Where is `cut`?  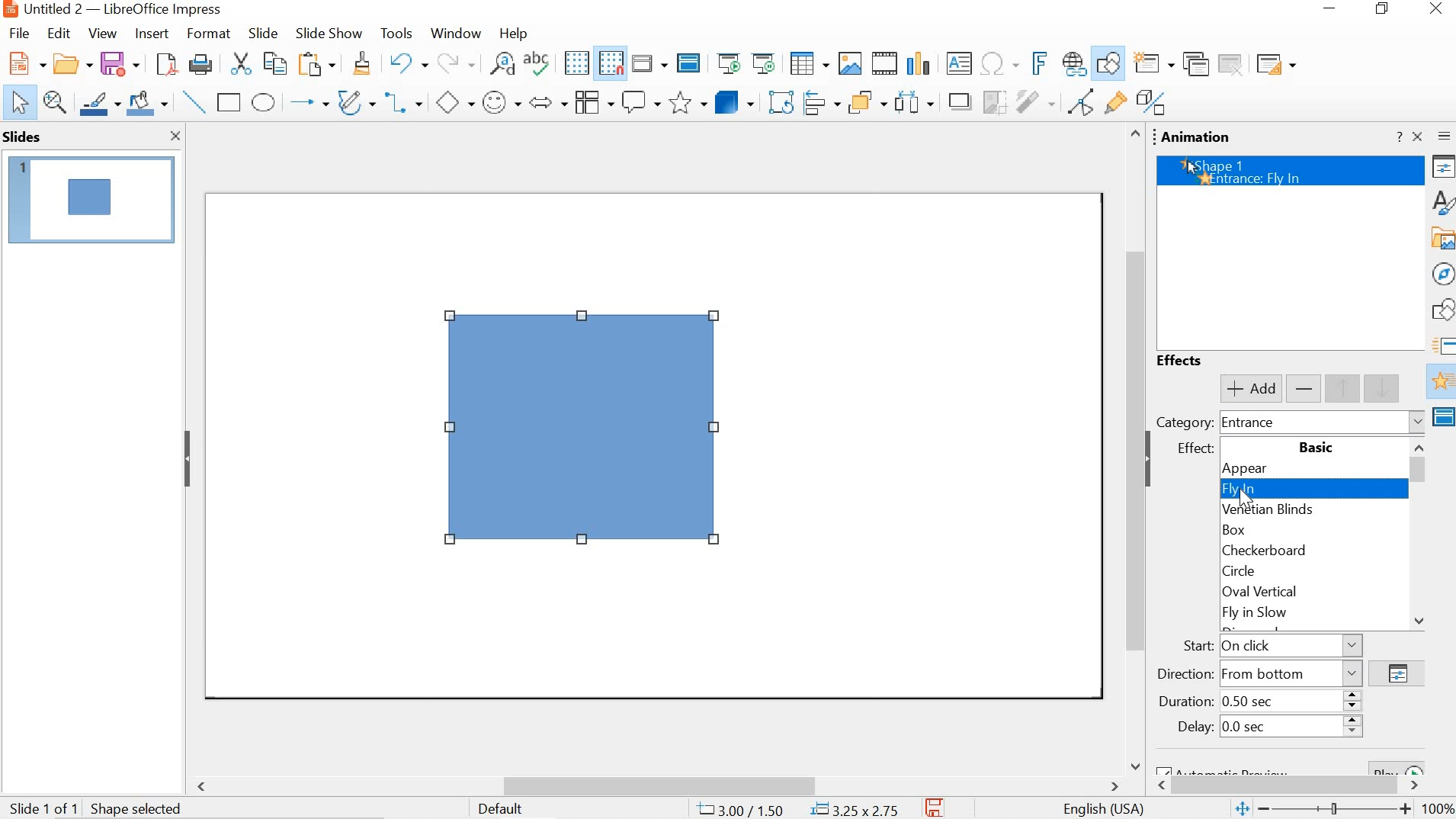 cut is located at coordinates (244, 64).